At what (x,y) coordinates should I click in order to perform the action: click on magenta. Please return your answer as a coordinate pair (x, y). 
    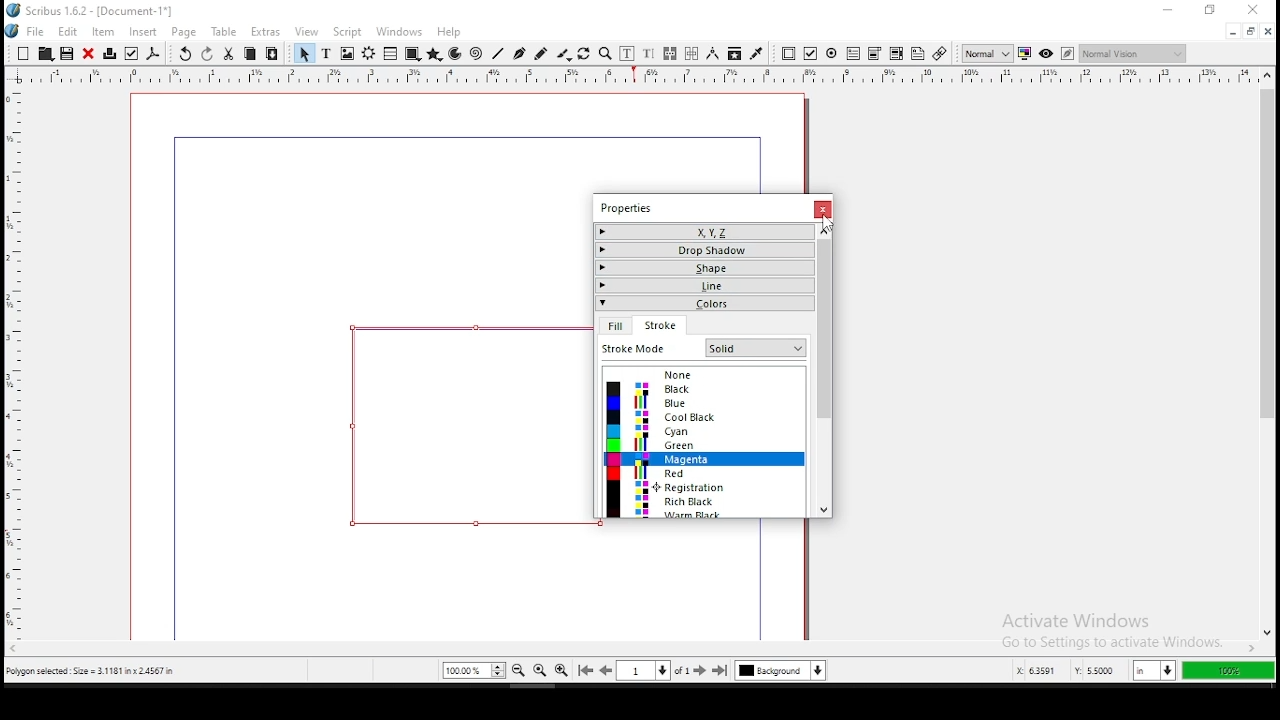
    Looking at the image, I should click on (704, 458).